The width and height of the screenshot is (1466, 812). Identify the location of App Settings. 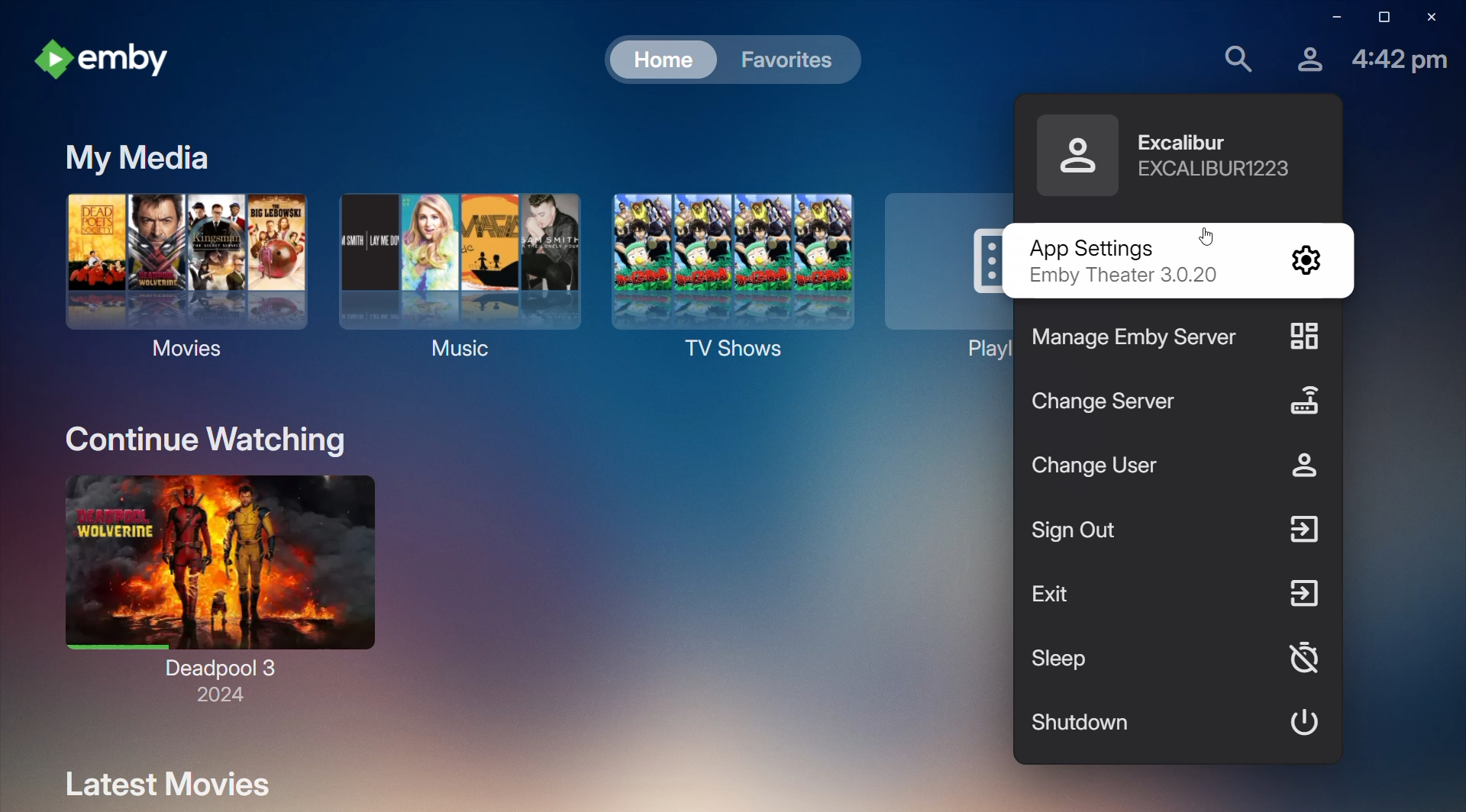
(1175, 263).